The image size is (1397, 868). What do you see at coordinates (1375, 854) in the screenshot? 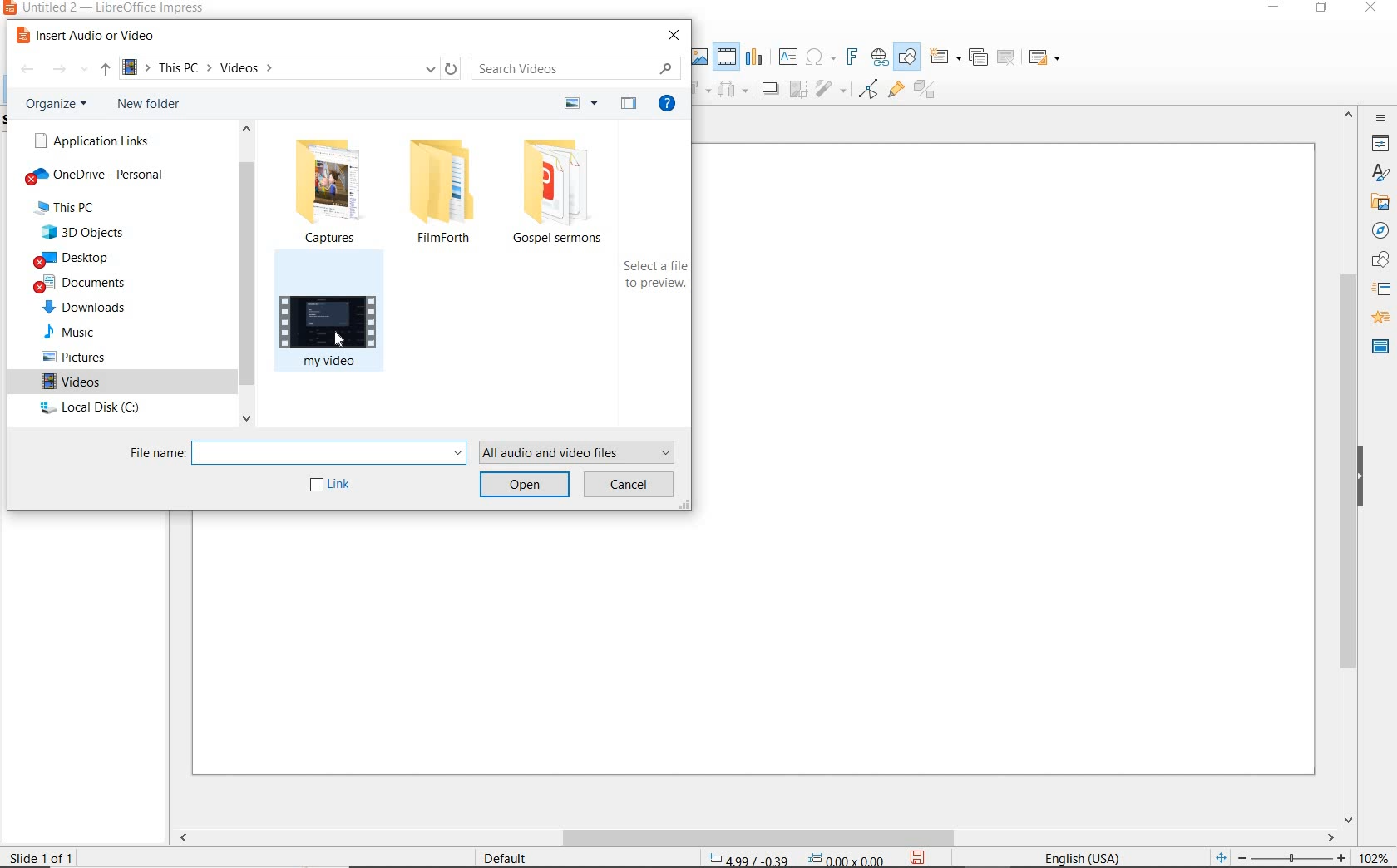
I see `ZOOM FACTOR` at bounding box center [1375, 854].